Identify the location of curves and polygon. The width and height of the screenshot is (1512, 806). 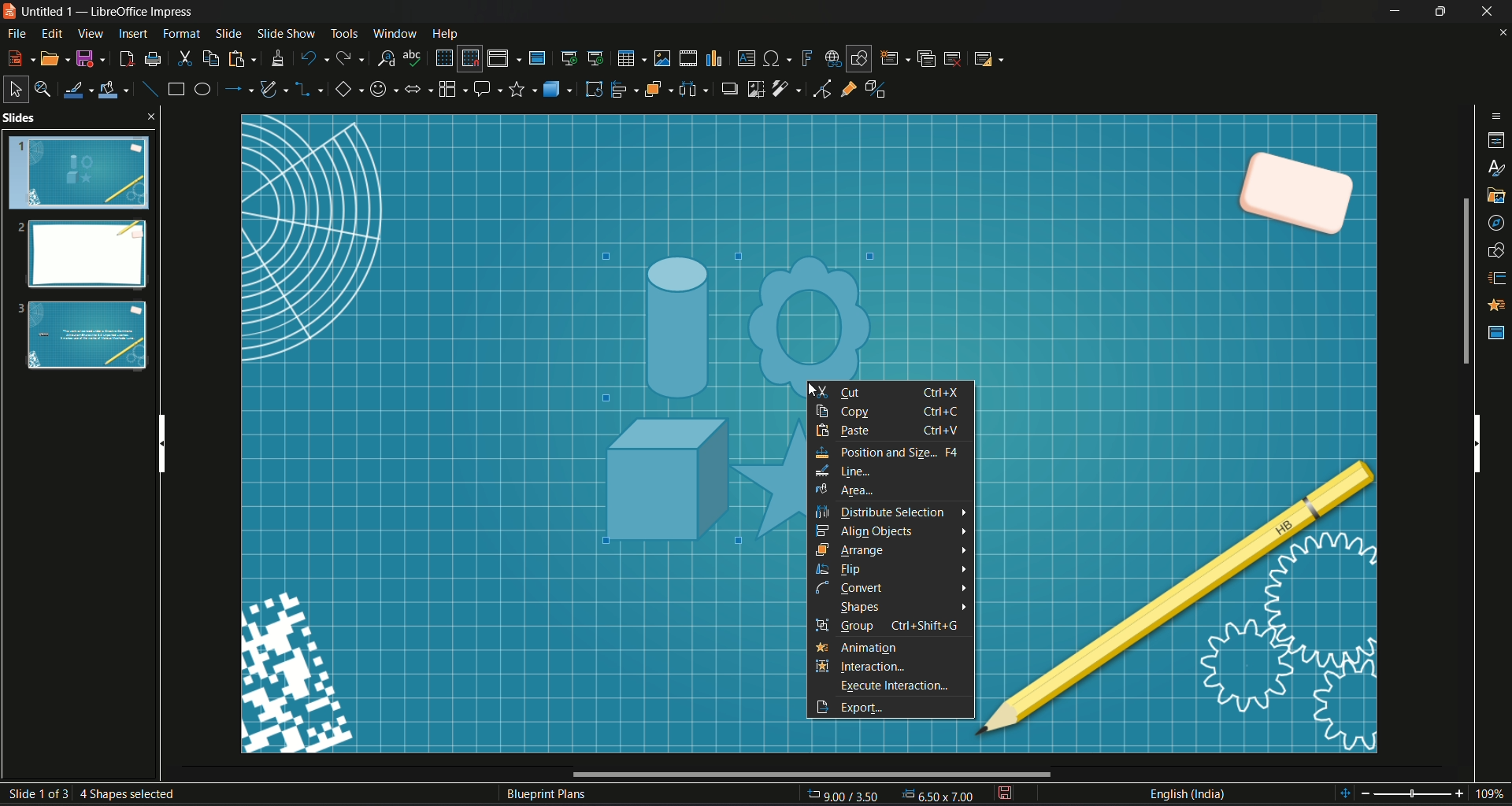
(276, 90).